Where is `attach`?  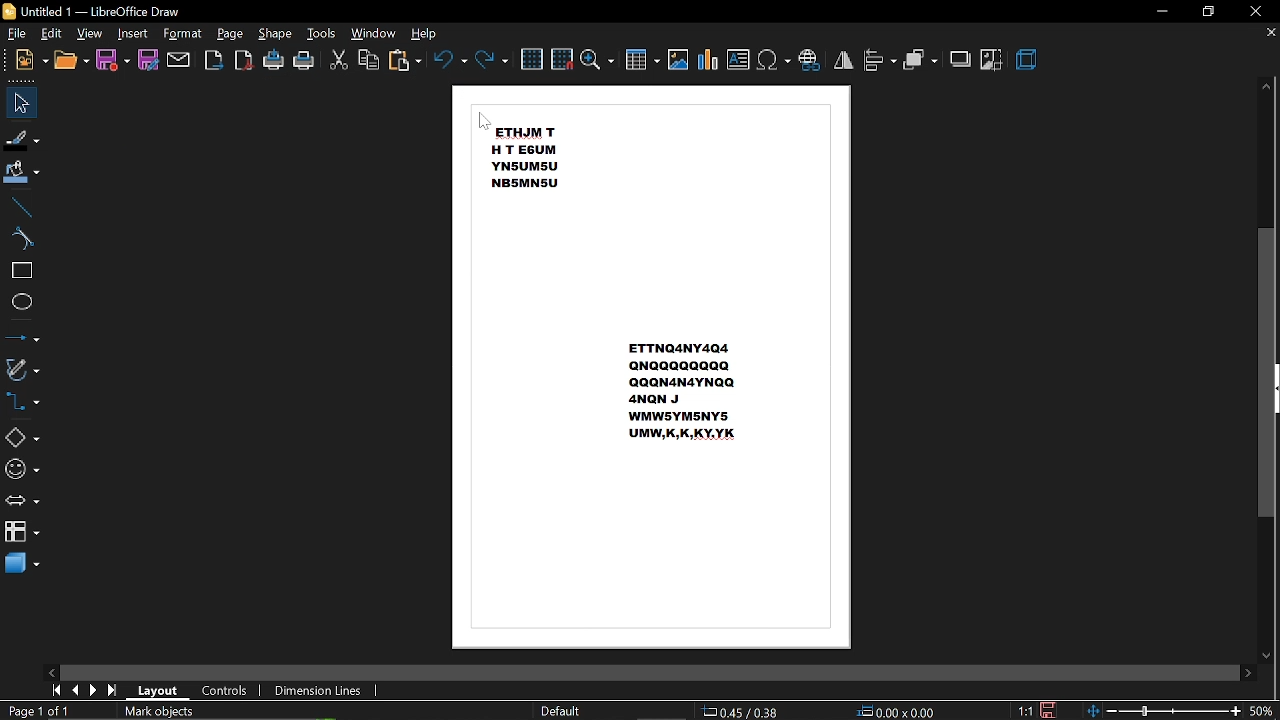
attach is located at coordinates (180, 60).